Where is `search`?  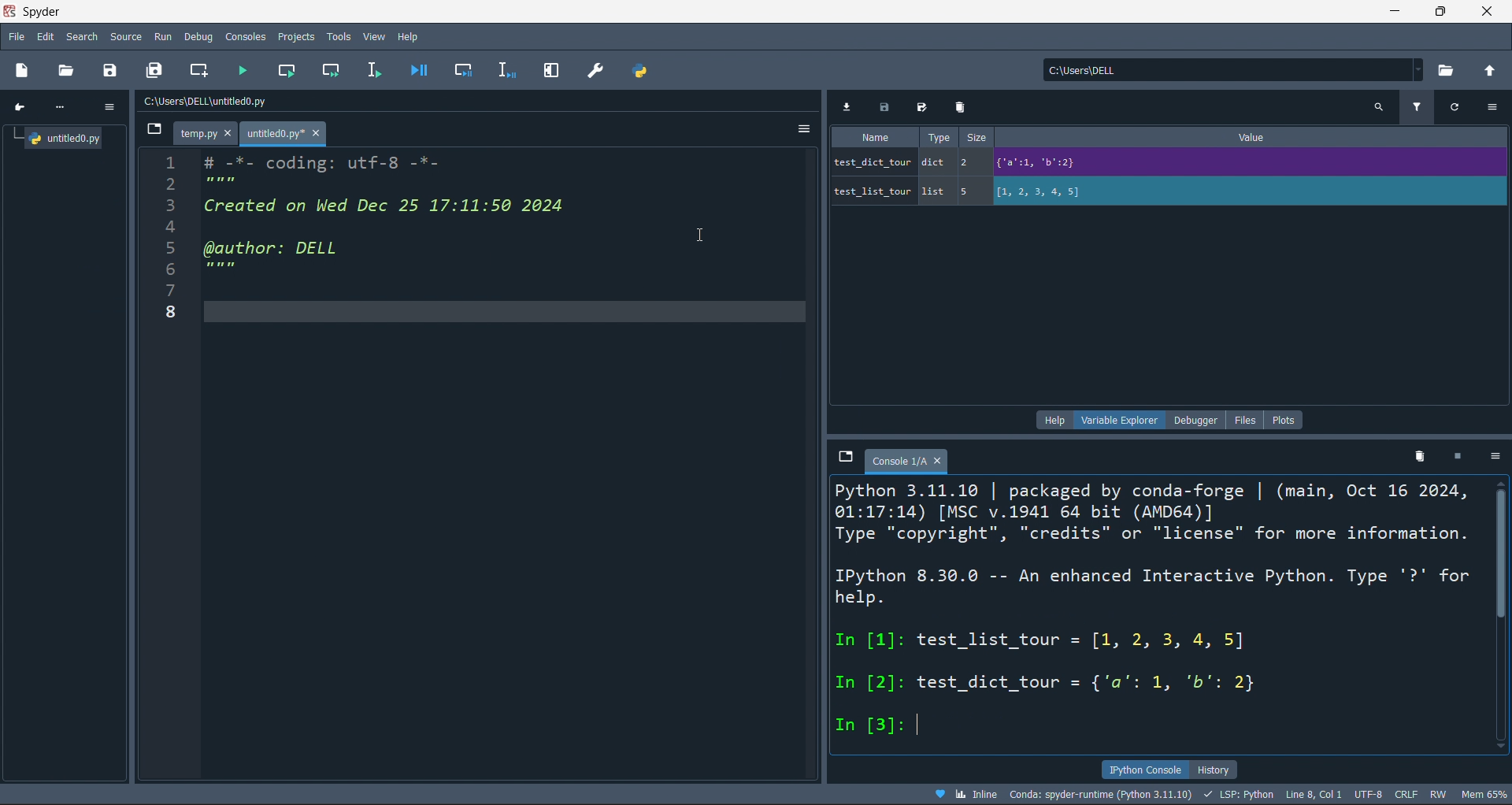 search is located at coordinates (1377, 106).